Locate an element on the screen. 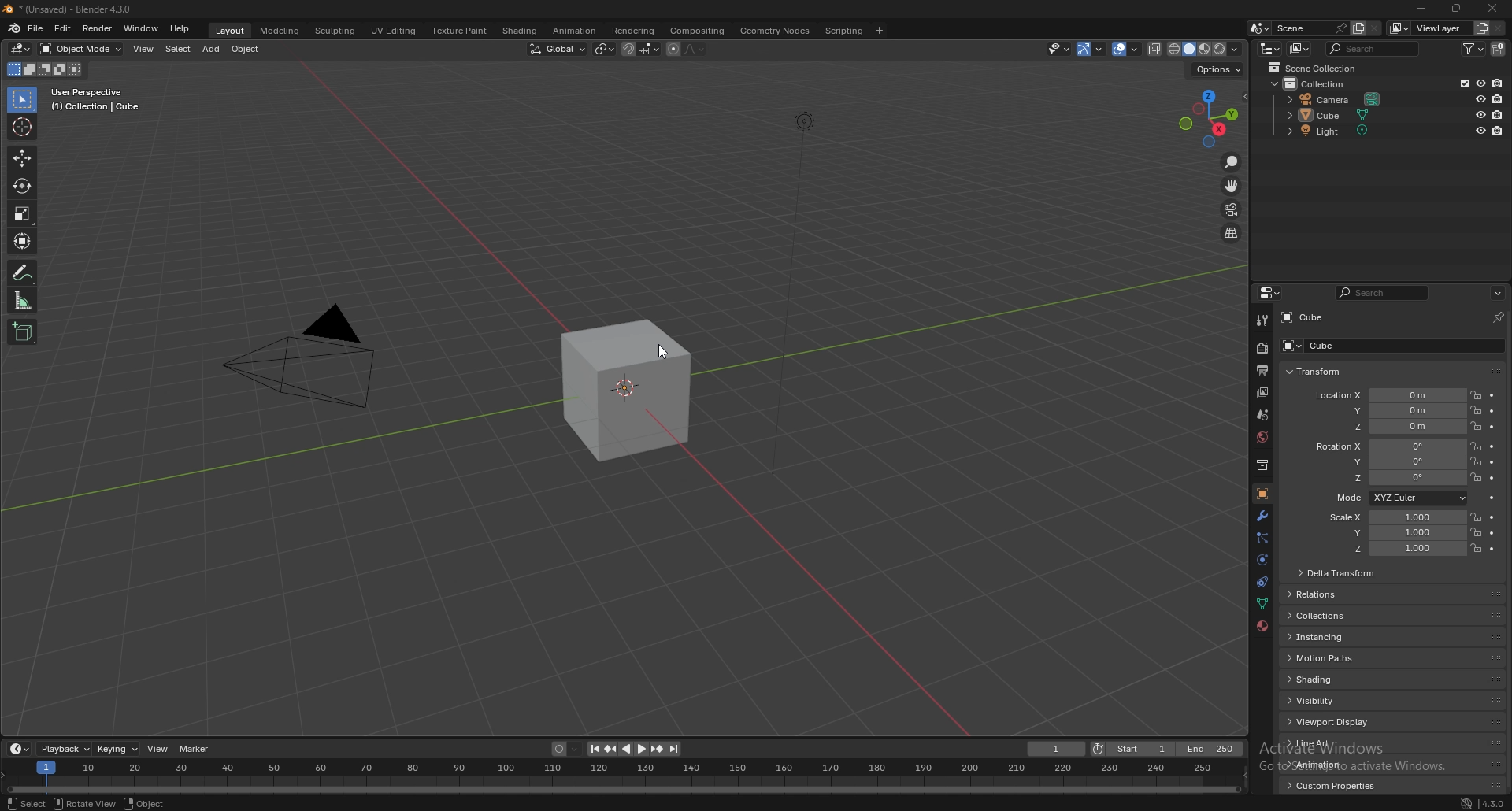 The image size is (1512, 811). add layer is located at coordinates (1358, 28).